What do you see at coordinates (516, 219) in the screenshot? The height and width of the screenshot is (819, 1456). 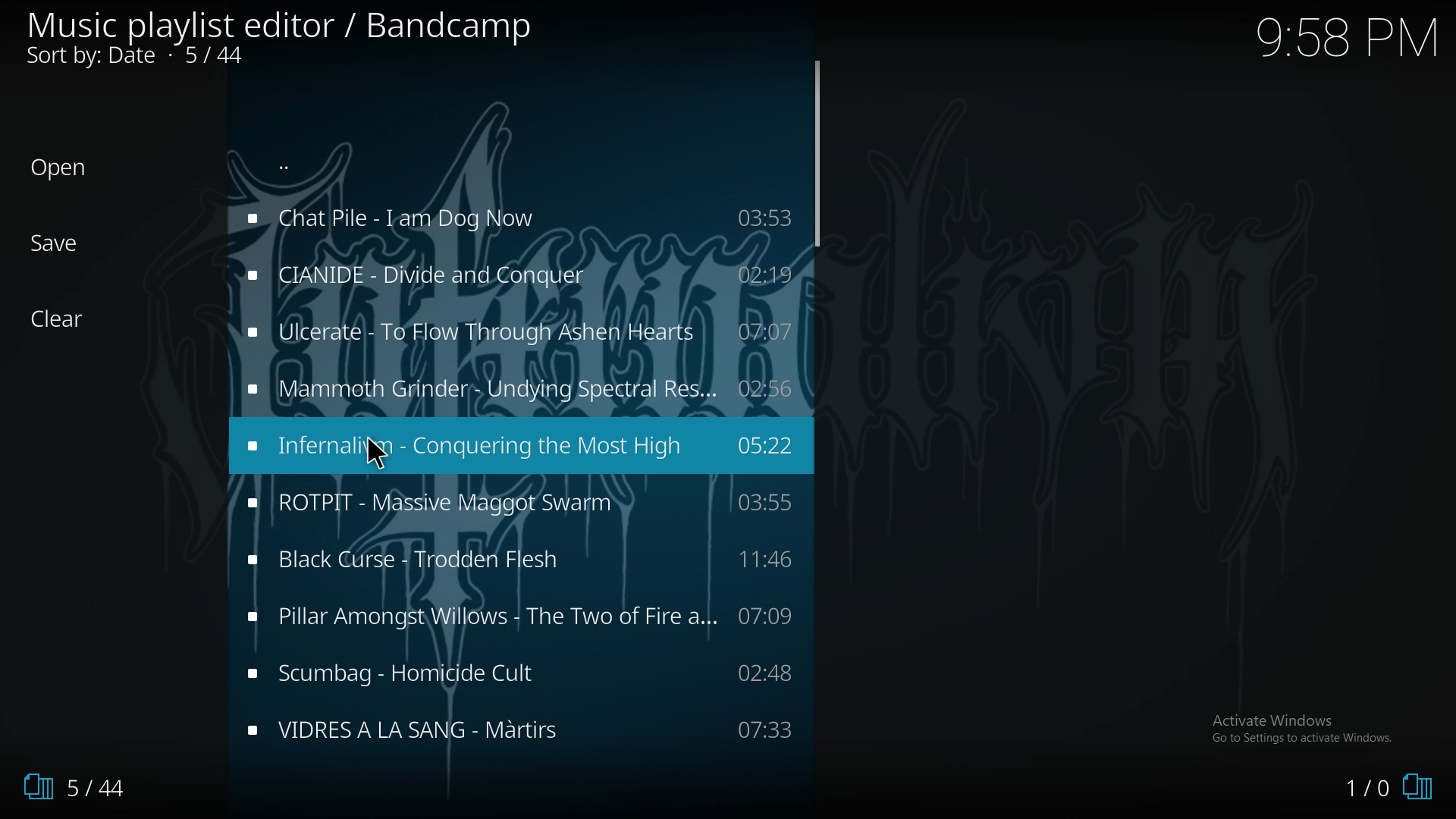 I see `music` at bounding box center [516, 219].